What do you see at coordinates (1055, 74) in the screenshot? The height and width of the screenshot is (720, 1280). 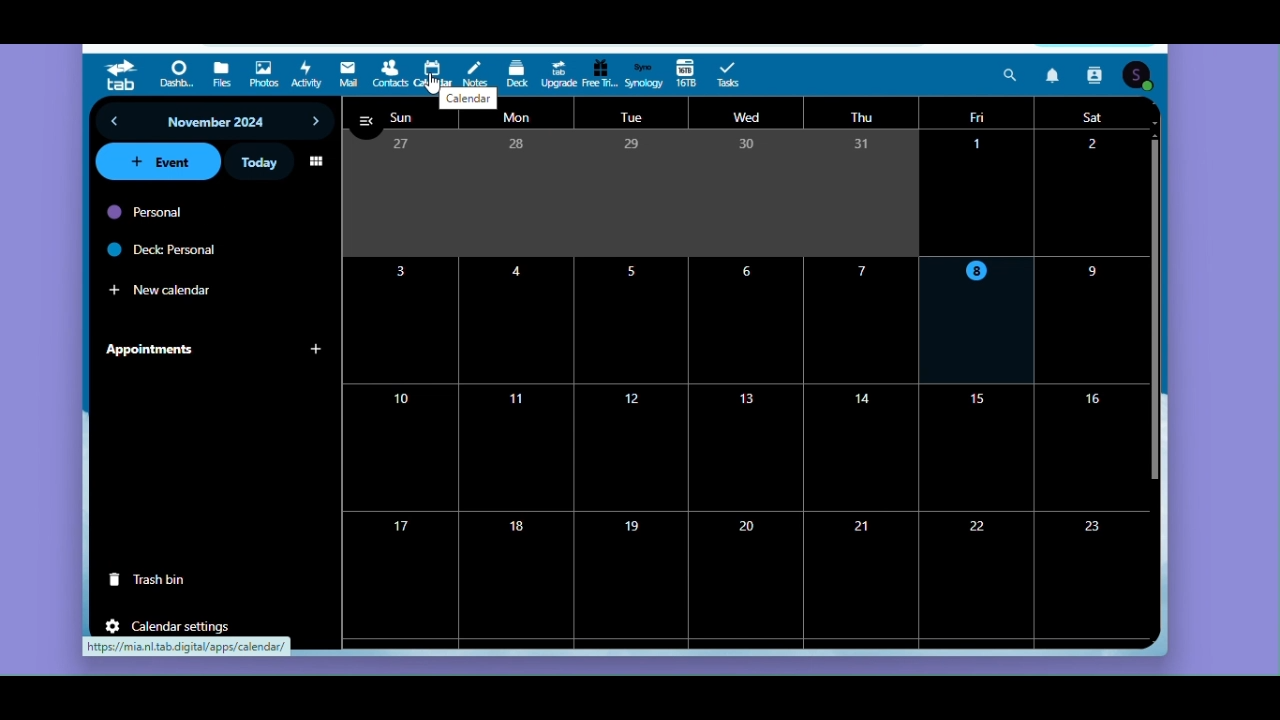 I see `Notifications` at bounding box center [1055, 74].